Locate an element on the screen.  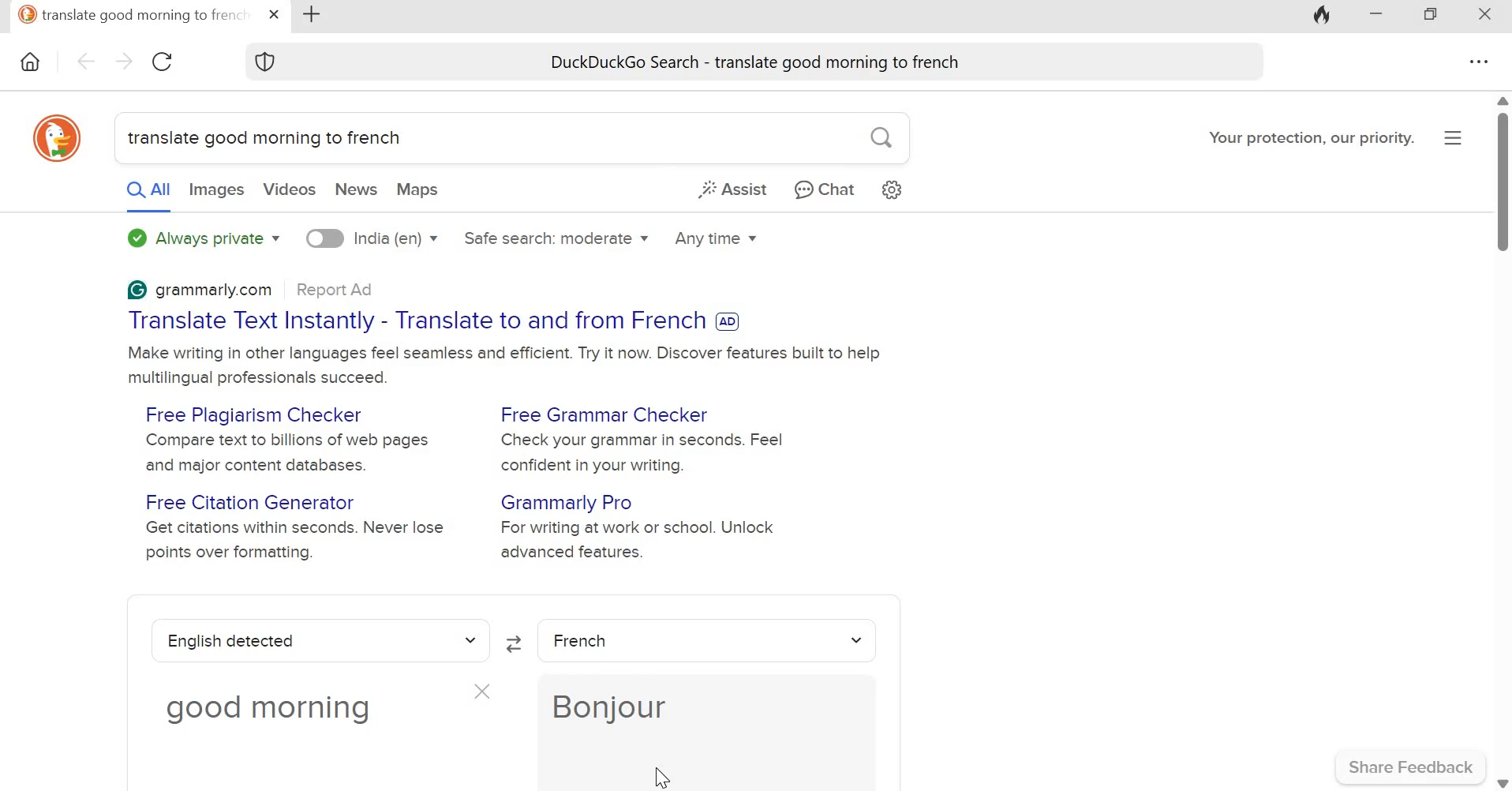
Fire icon is located at coordinates (1327, 15).